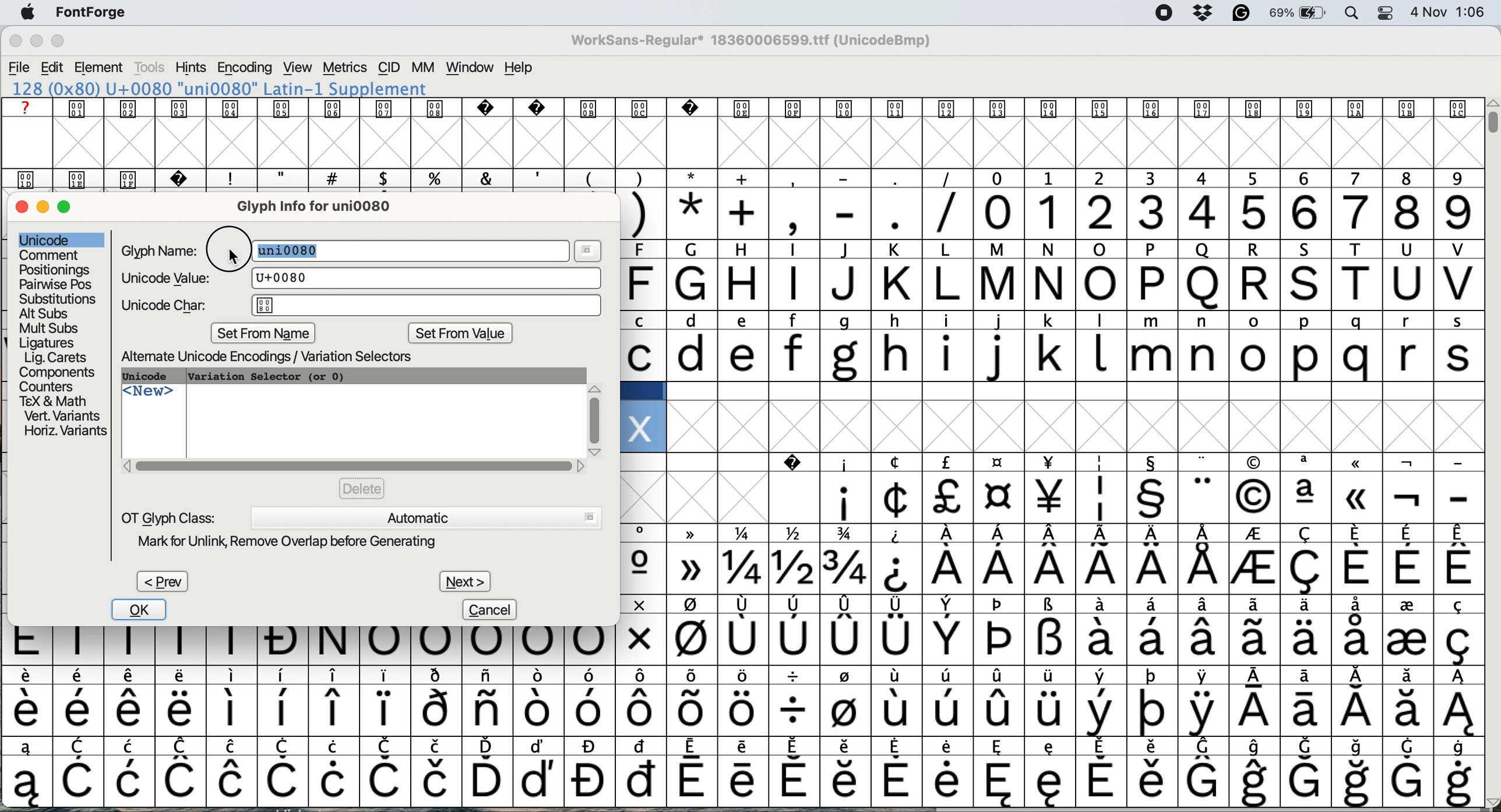  I want to click on numbers, so click(1227, 211).